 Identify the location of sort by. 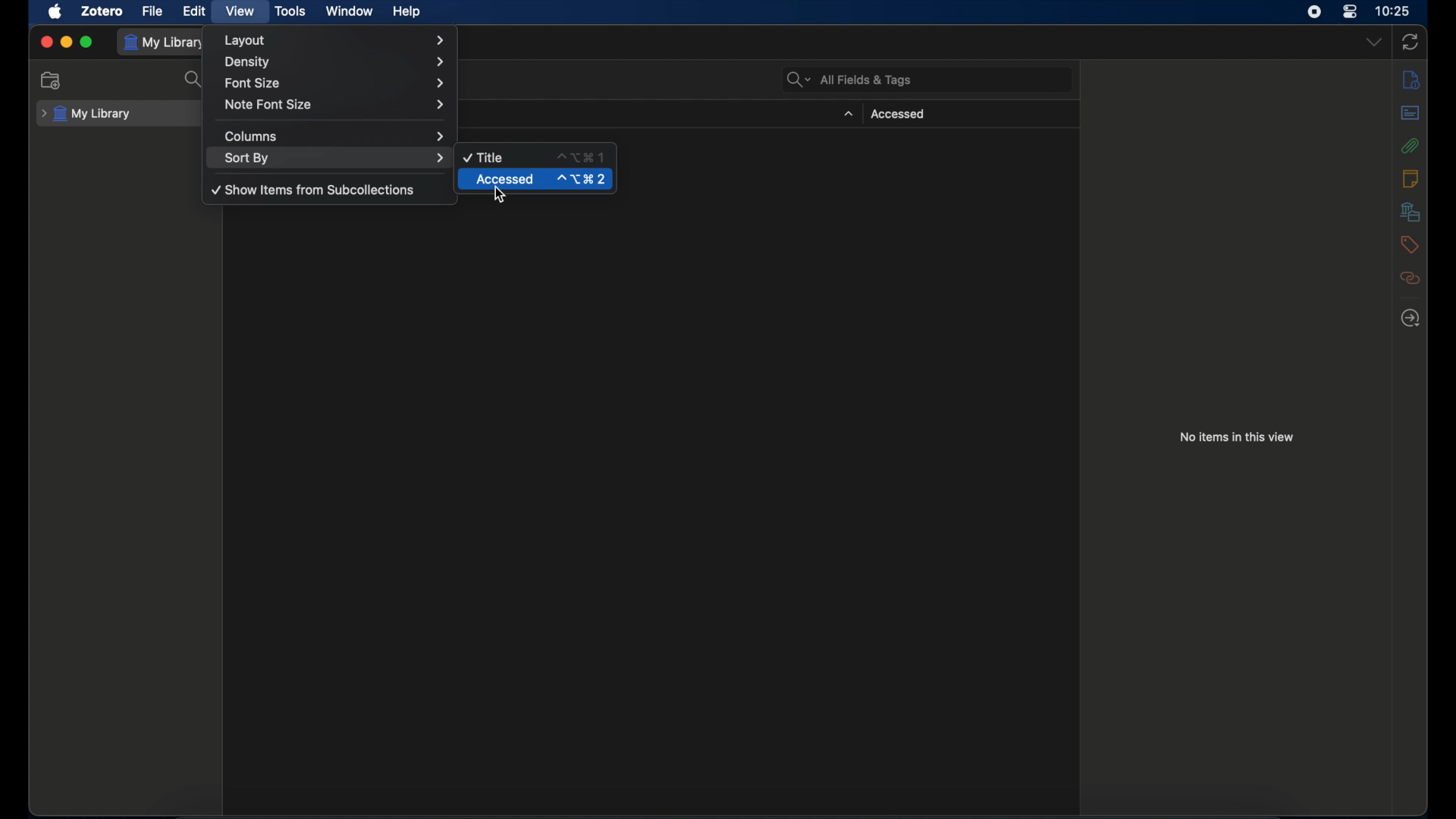
(334, 158).